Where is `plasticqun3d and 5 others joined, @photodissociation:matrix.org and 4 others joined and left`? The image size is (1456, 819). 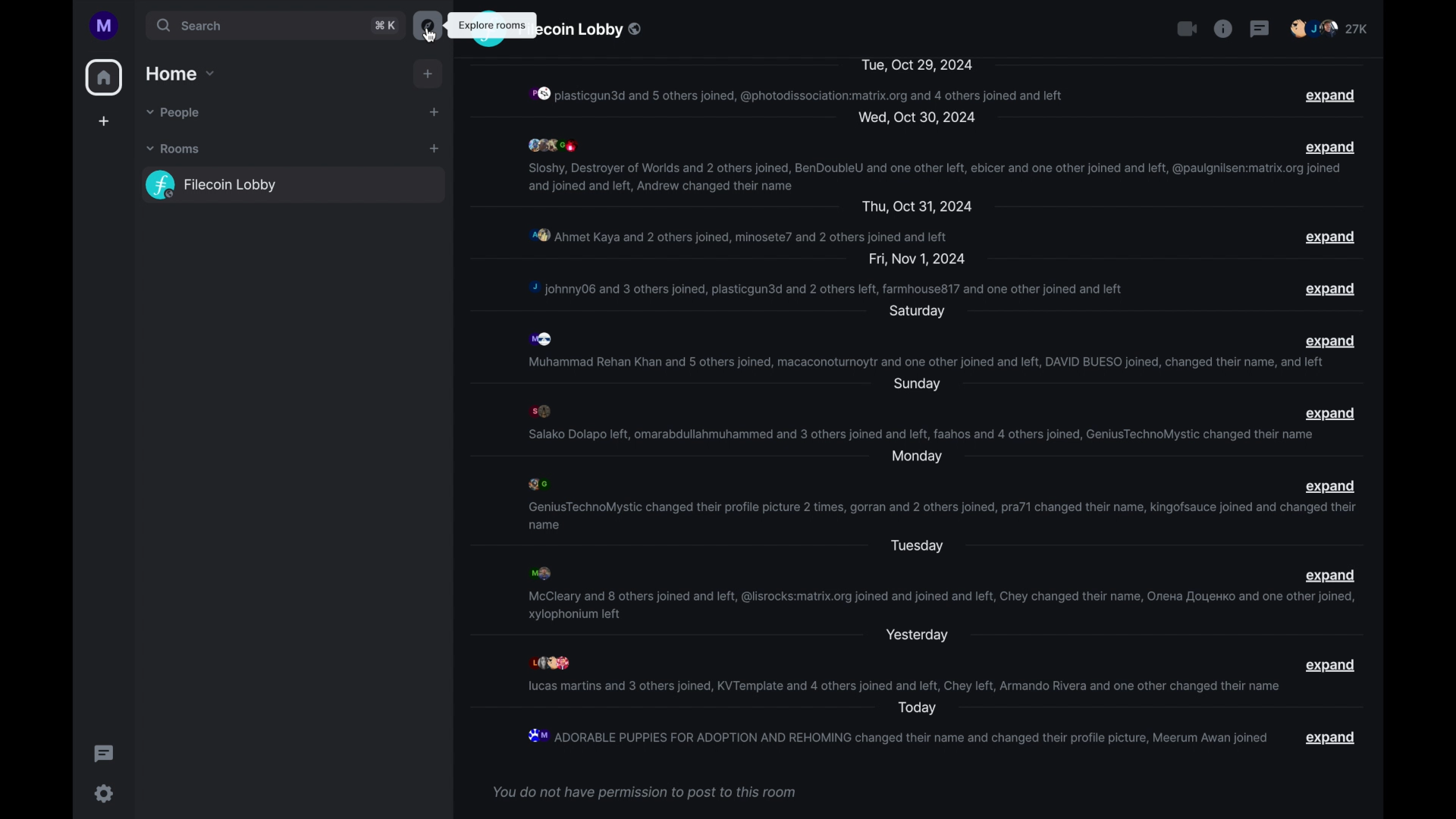 plasticqun3d and 5 others joined, @photodissociation:matrix.org and 4 others joined and left is located at coordinates (798, 94).